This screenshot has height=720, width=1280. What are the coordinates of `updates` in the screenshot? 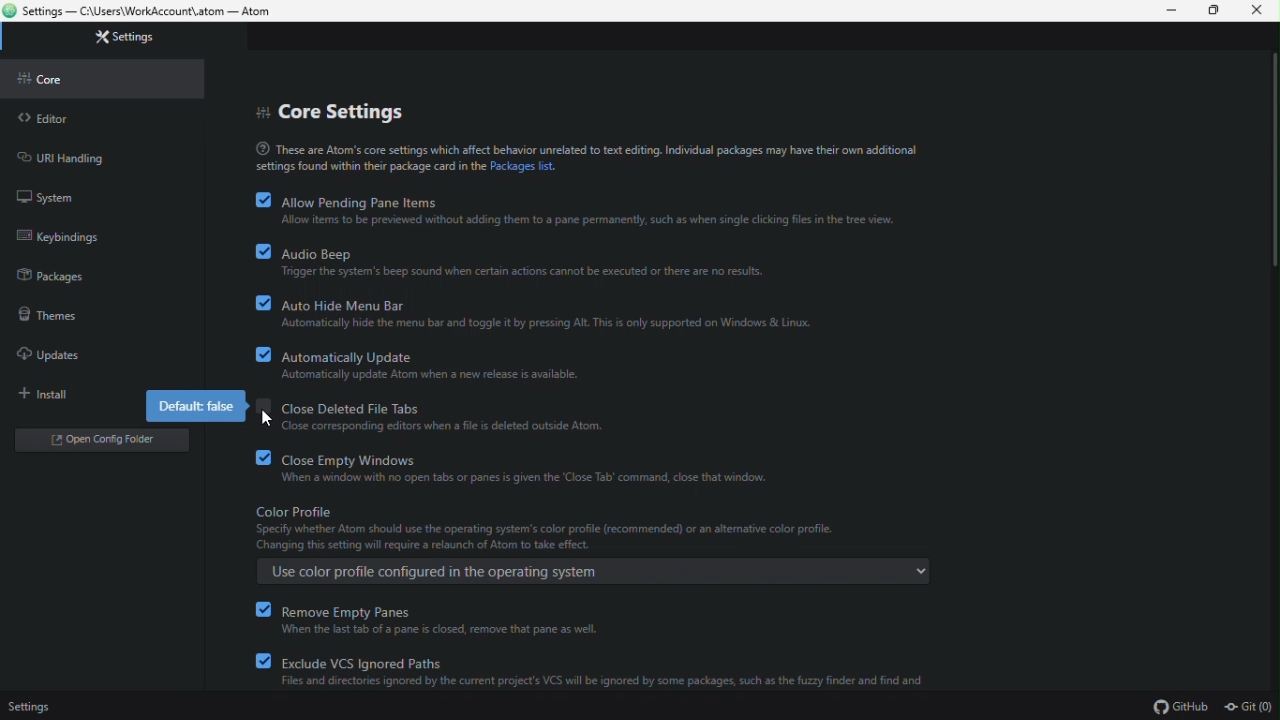 It's located at (47, 355).